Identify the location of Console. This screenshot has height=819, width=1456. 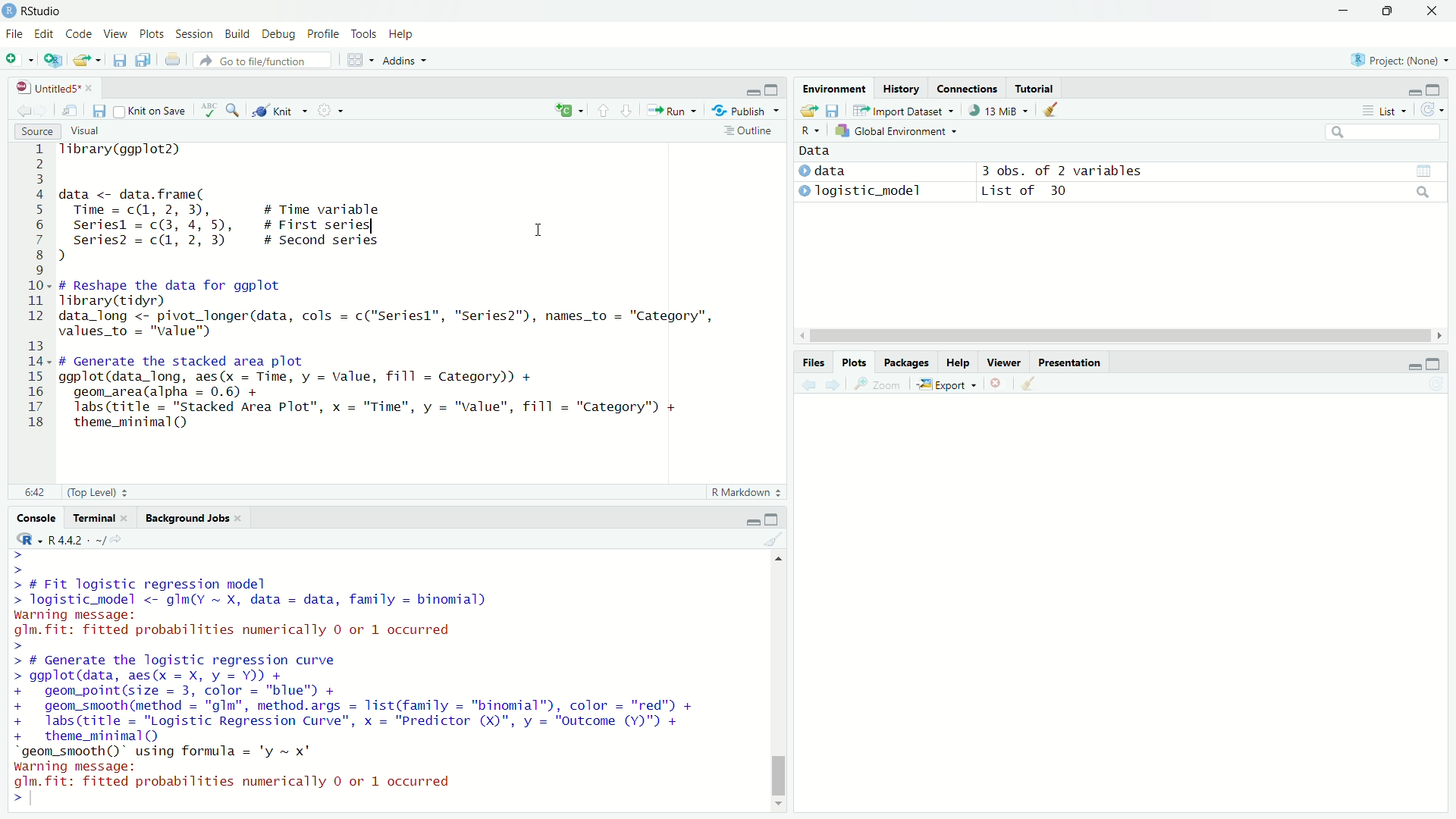
(39, 516).